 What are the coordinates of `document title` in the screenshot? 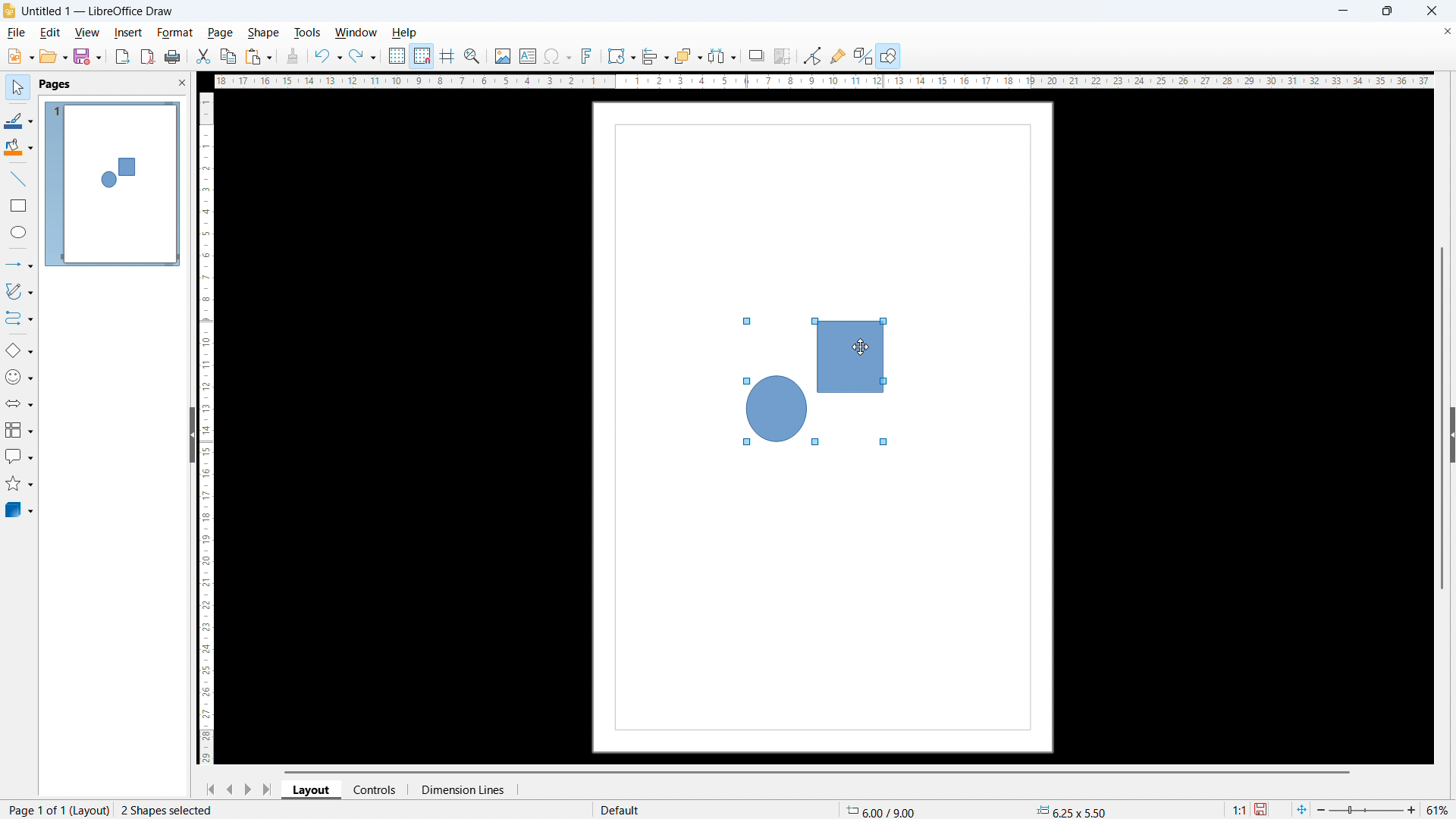 It's located at (98, 11).